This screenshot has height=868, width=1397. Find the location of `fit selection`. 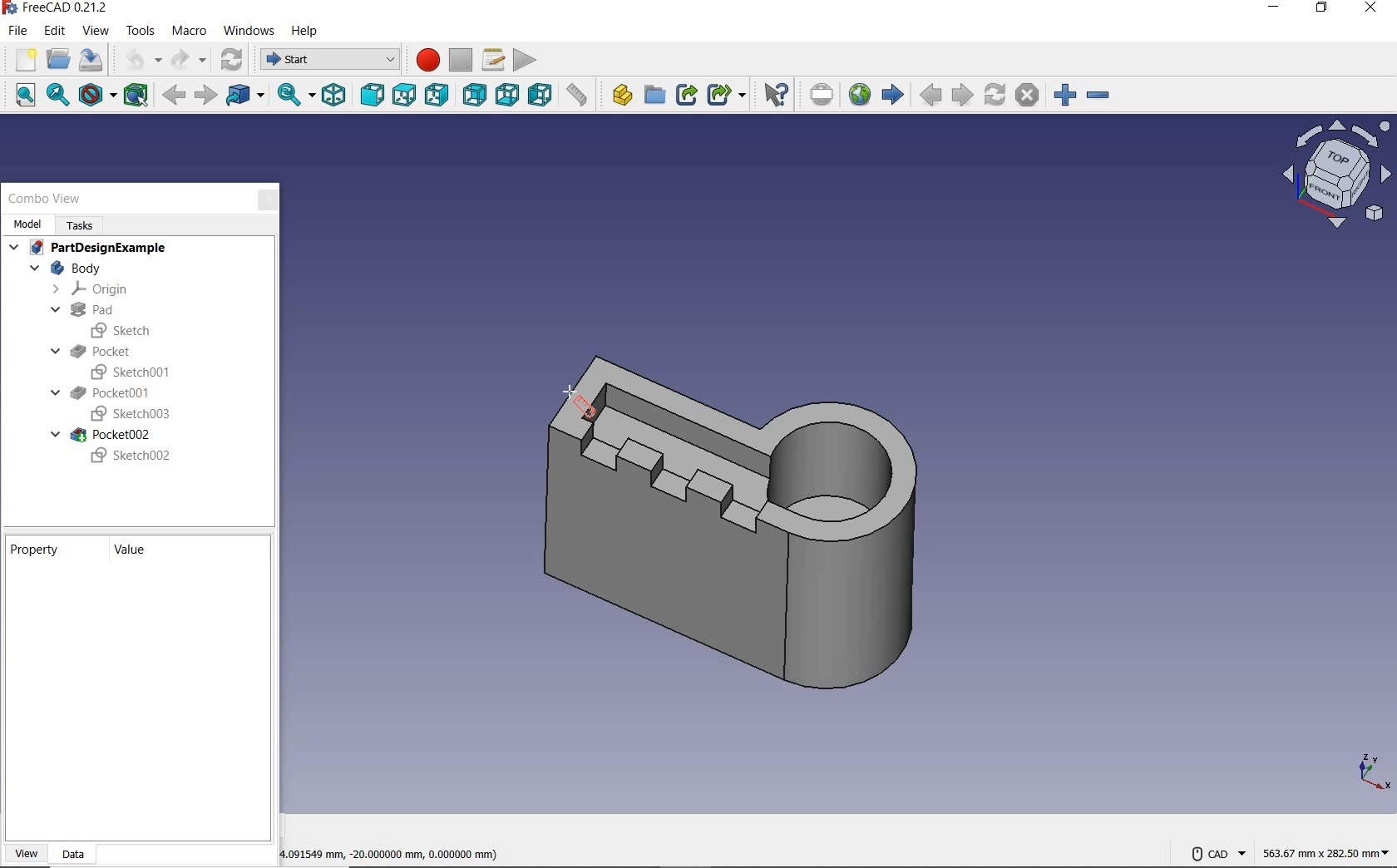

fit selection is located at coordinates (58, 96).